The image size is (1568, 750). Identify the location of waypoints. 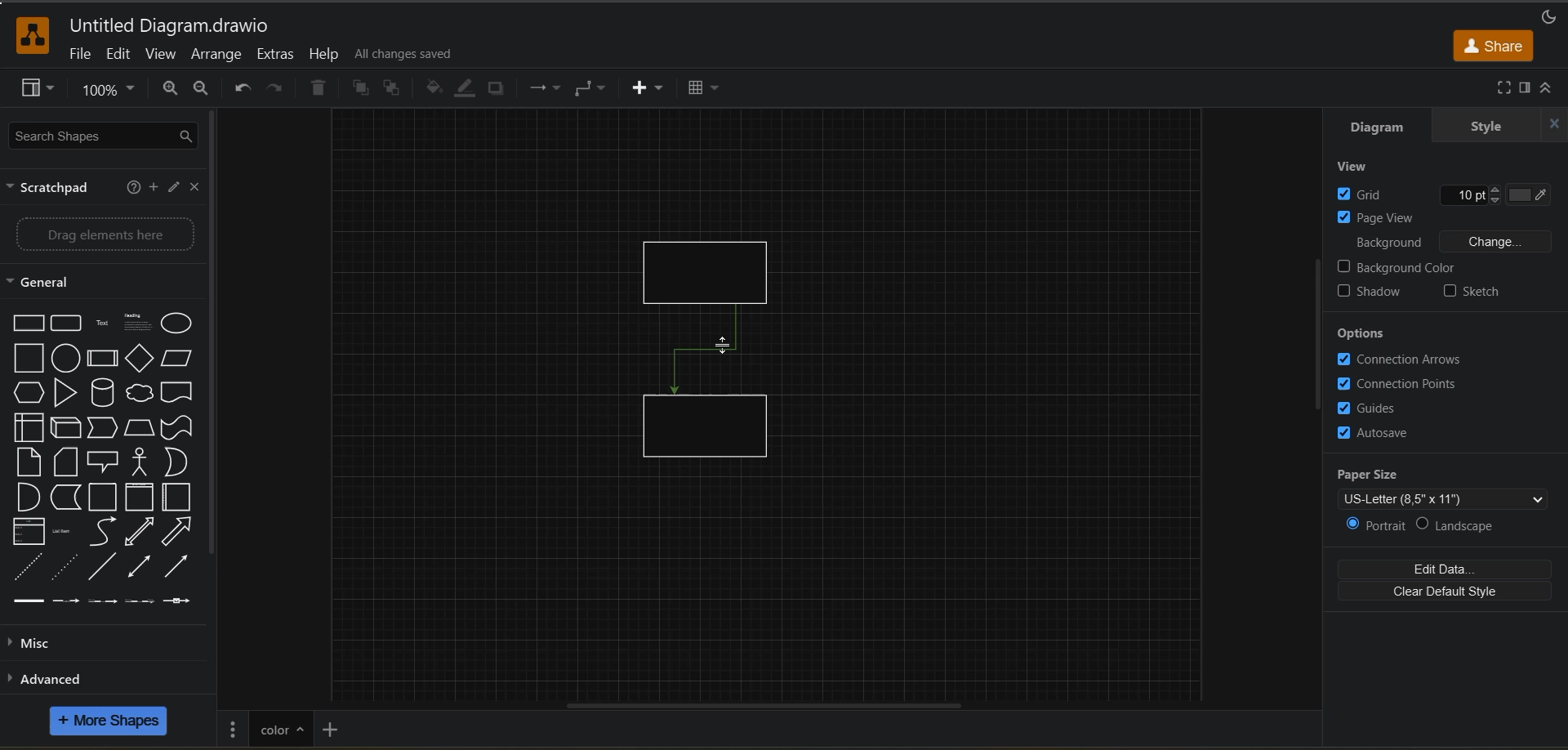
(542, 90).